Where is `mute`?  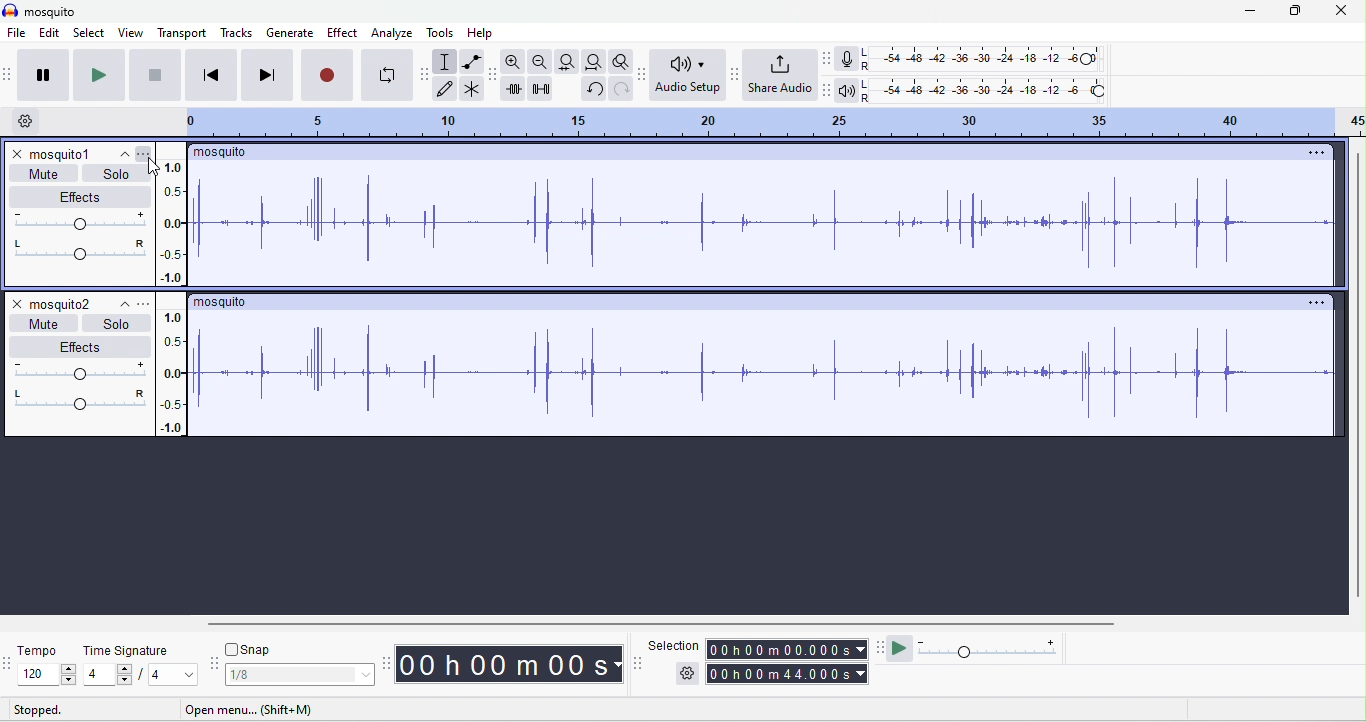
mute is located at coordinates (44, 324).